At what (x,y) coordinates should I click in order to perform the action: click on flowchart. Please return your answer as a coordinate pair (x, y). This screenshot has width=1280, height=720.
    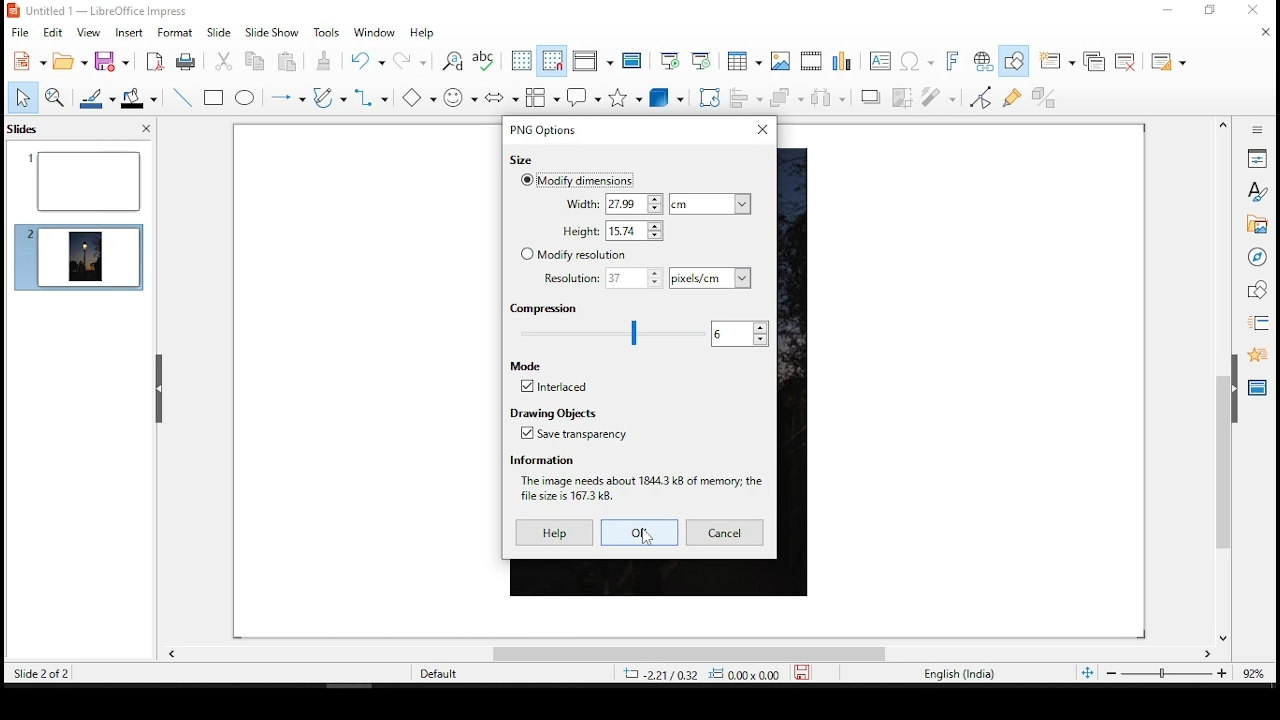
    Looking at the image, I should click on (543, 97).